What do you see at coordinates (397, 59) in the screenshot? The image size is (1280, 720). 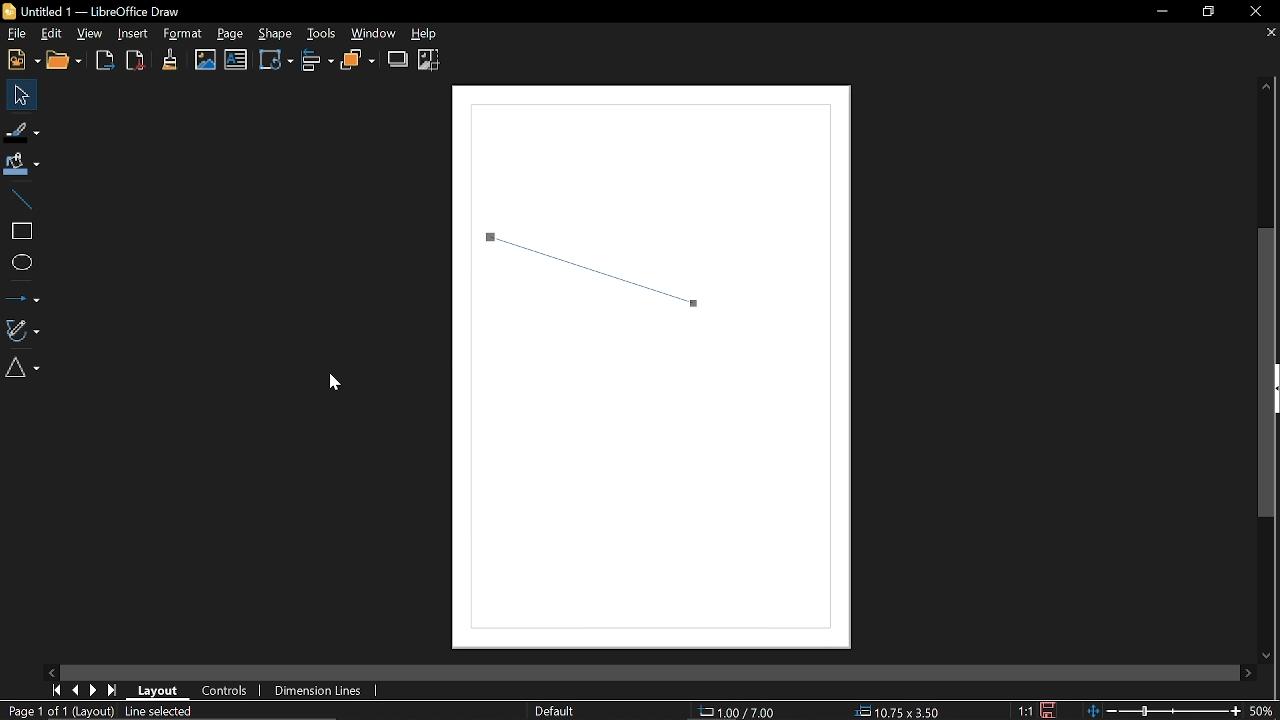 I see `Shadow` at bounding box center [397, 59].